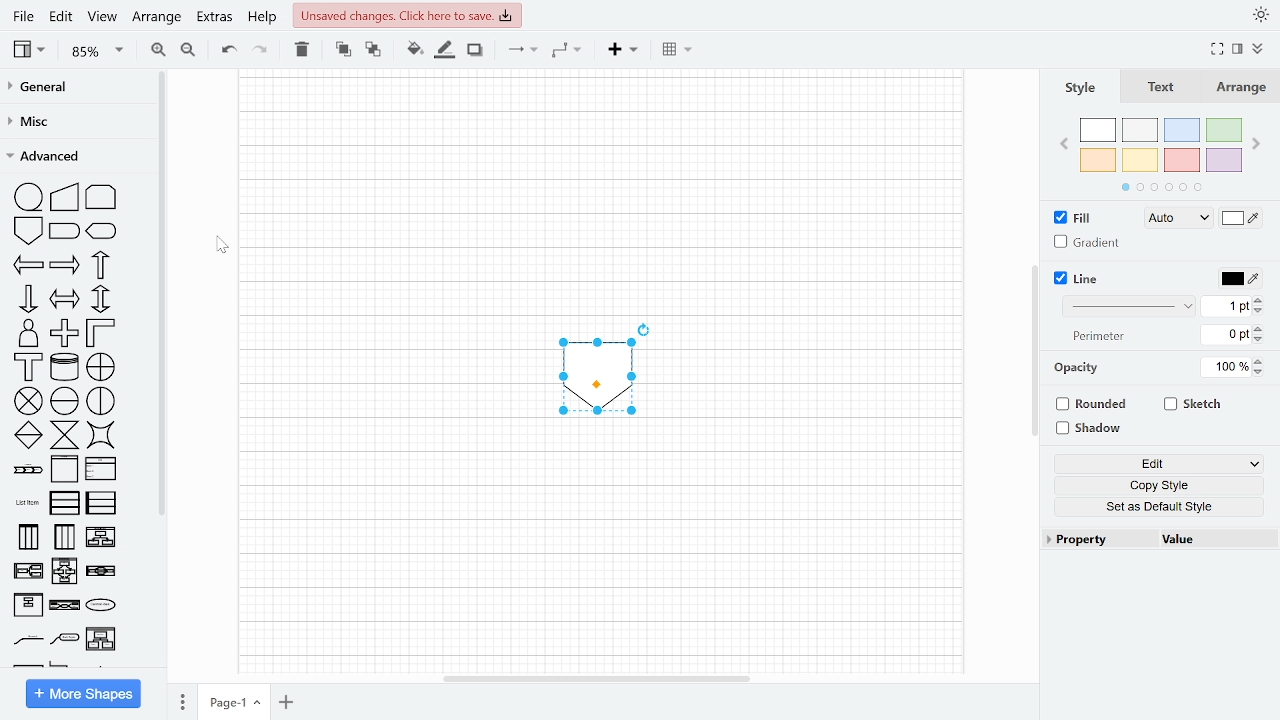 This screenshot has width=1280, height=720. What do you see at coordinates (64, 333) in the screenshot?
I see `cross` at bounding box center [64, 333].